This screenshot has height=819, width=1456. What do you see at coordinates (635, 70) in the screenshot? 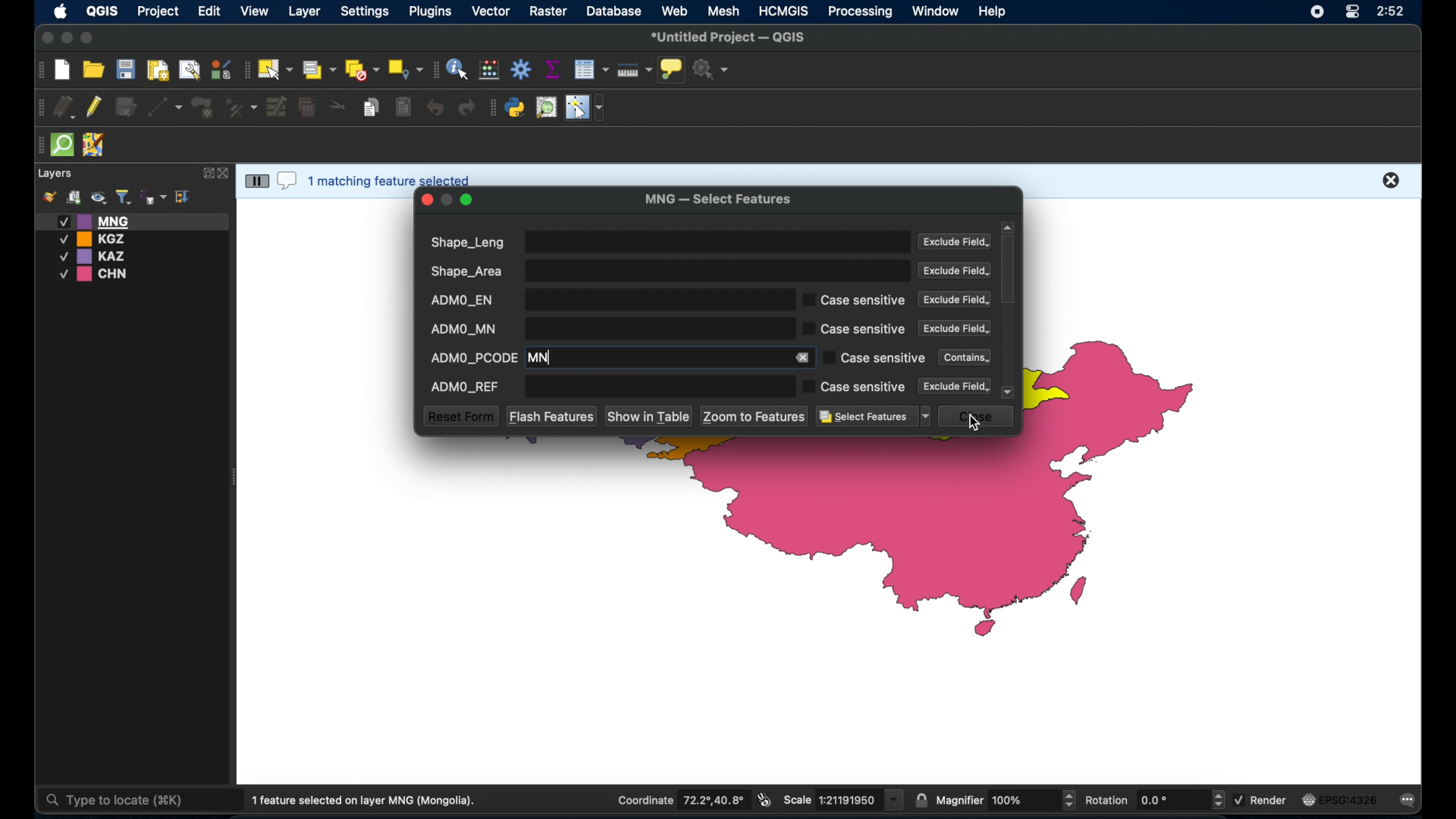
I see `measure line` at bounding box center [635, 70].